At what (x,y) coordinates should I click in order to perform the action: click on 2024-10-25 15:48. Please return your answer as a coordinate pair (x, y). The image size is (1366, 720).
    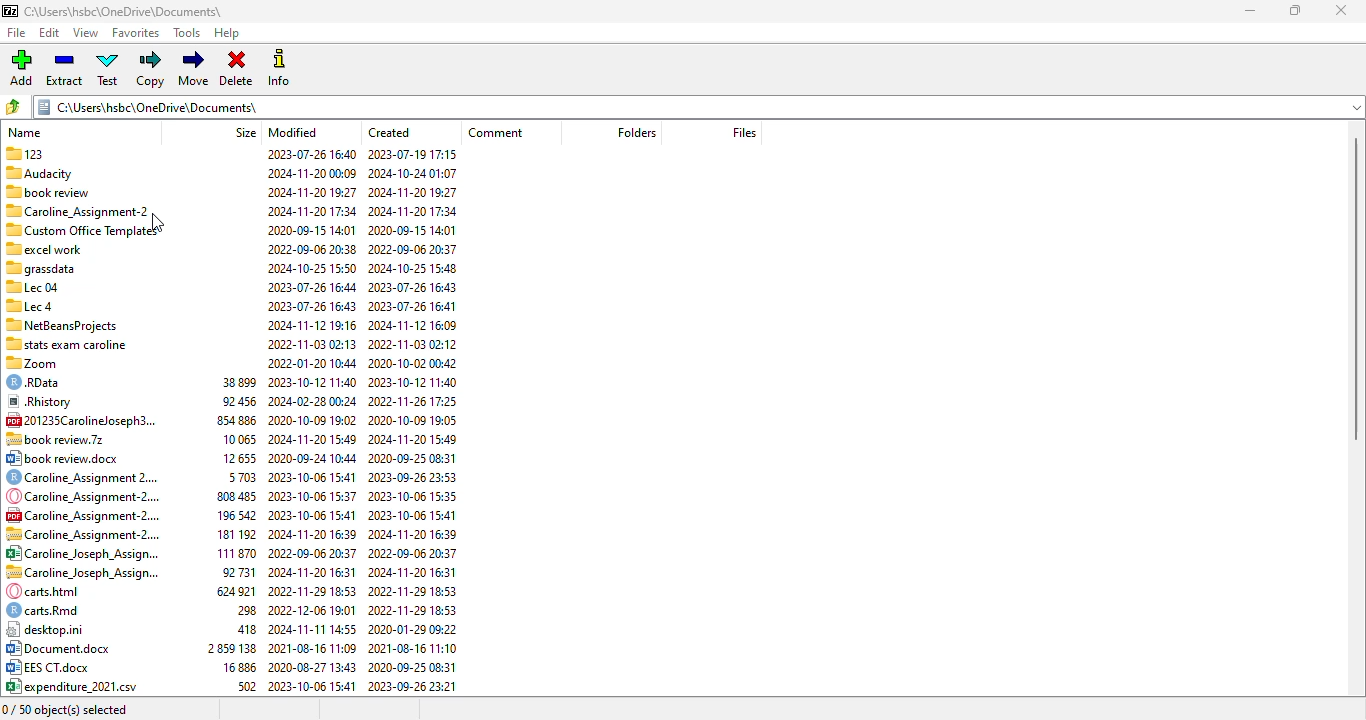
    Looking at the image, I should click on (415, 268).